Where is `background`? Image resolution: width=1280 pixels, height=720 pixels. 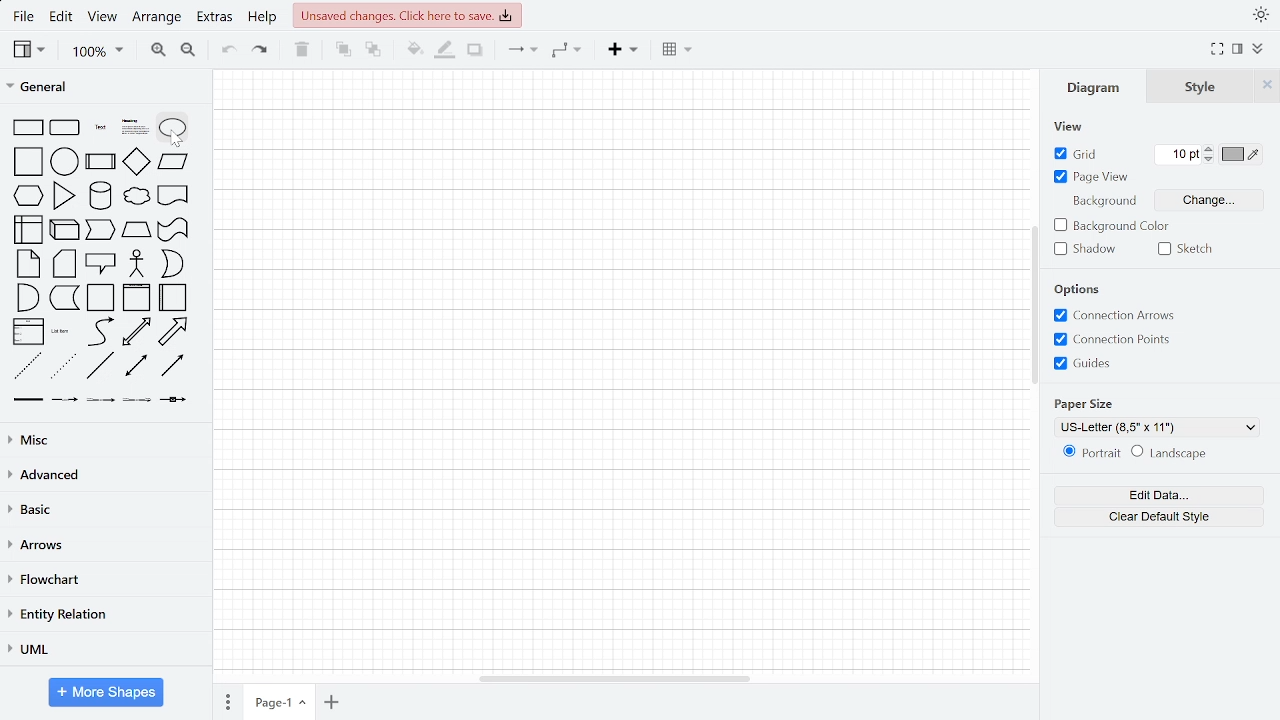 background is located at coordinates (1108, 202).